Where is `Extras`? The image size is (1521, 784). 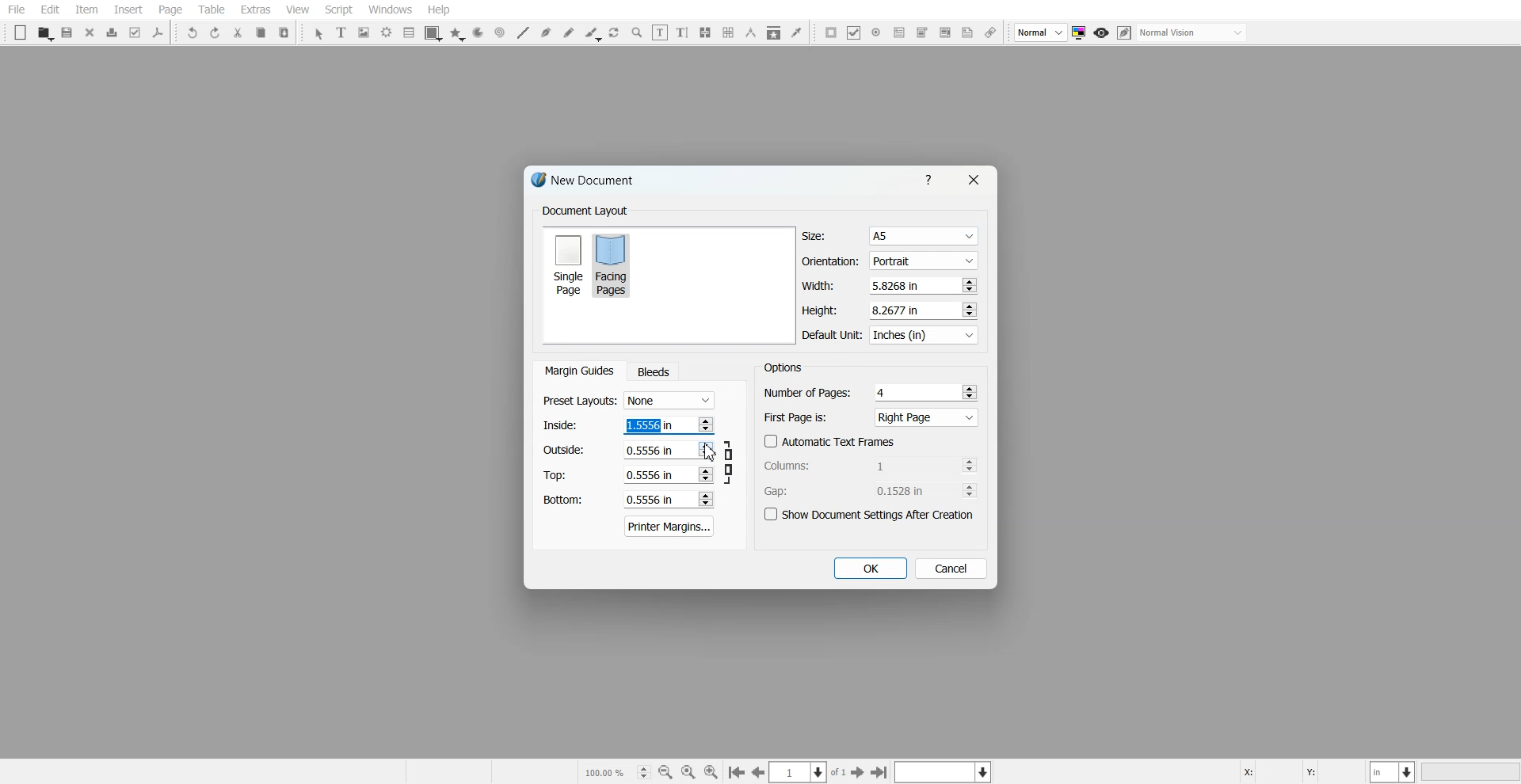
Extras is located at coordinates (255, 10).